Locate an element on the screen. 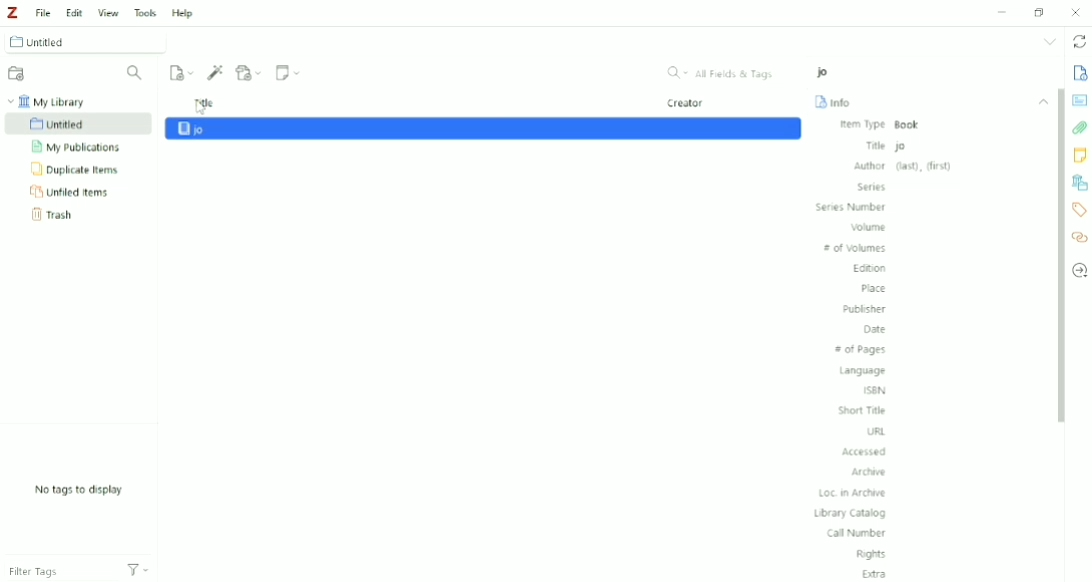  My Library is located at coordinates (51, 101).